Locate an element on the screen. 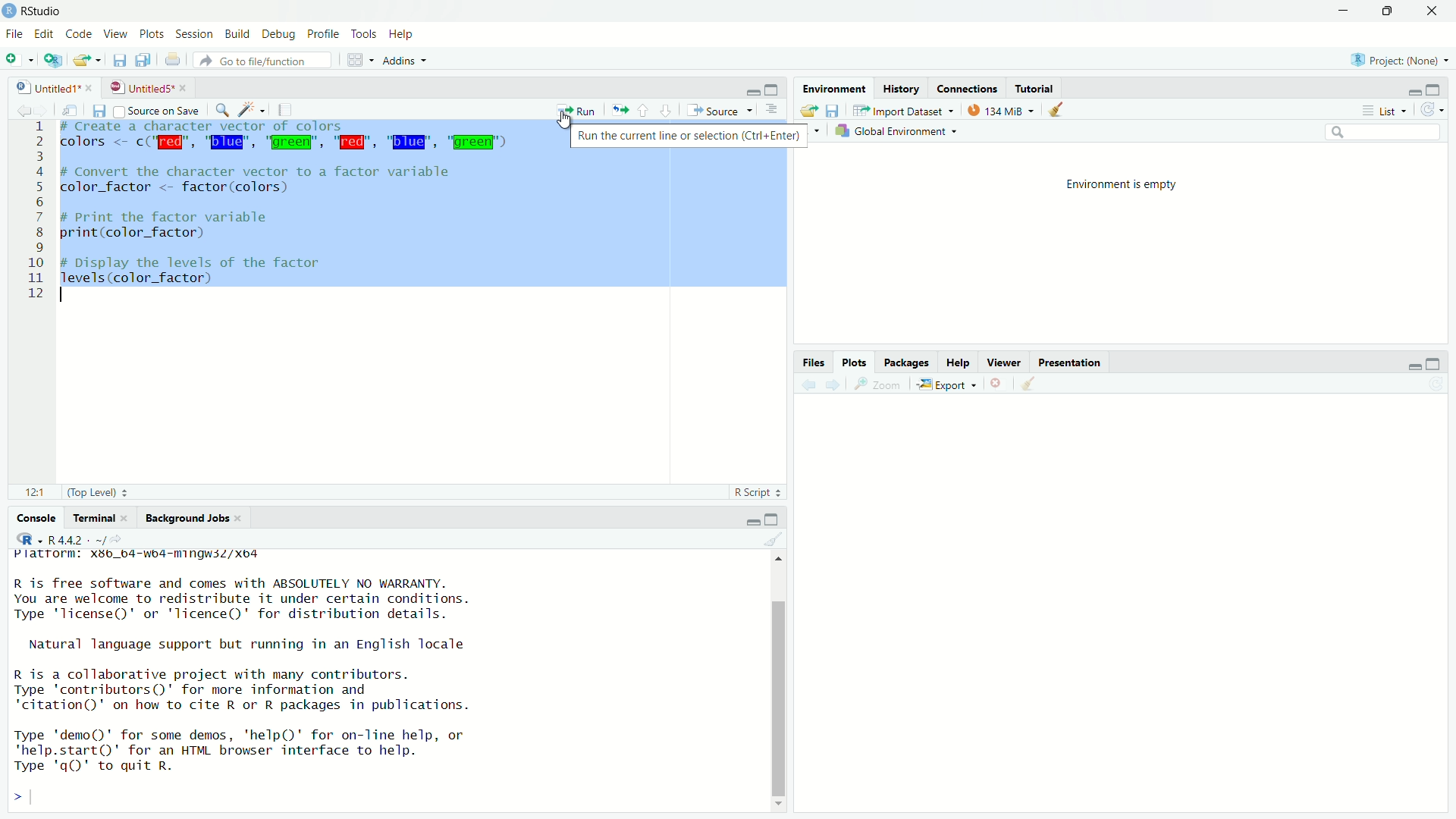  code to colors is located at coordinates (291, 143).